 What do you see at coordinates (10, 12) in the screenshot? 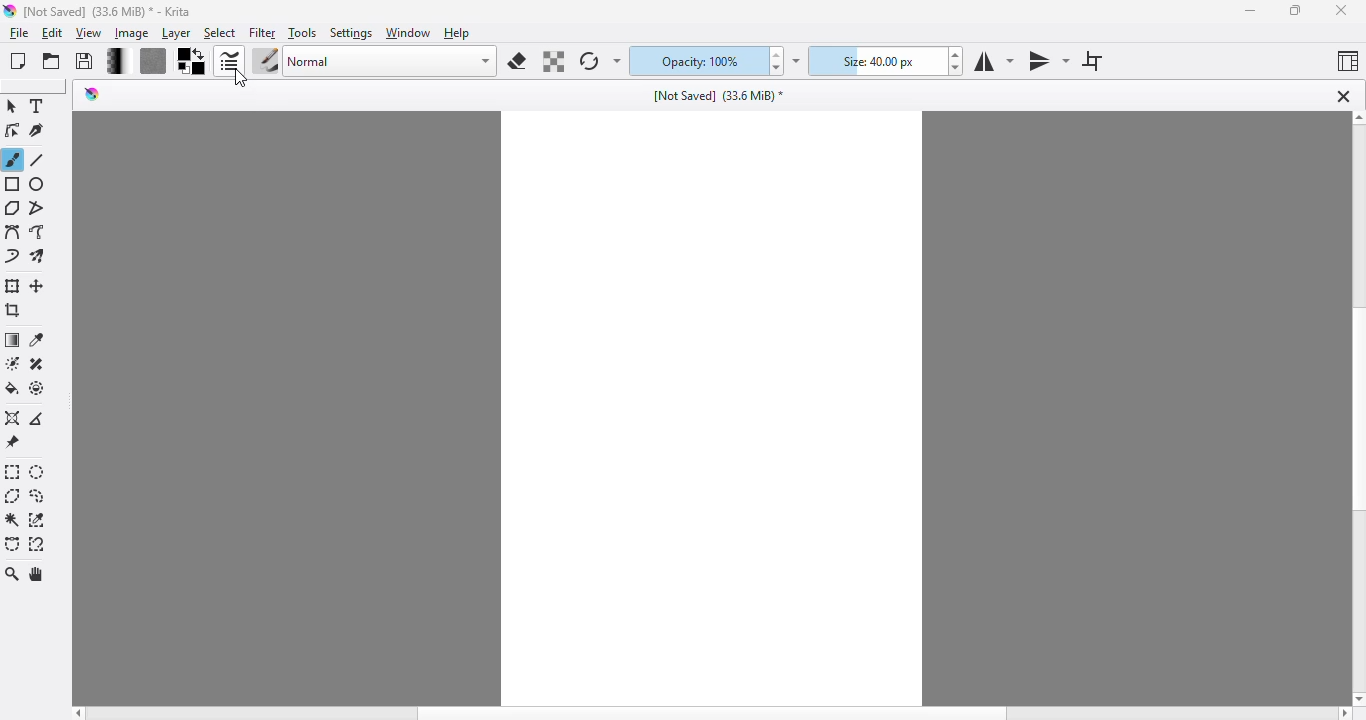
I see `logo` at bounding box center [10, 12].